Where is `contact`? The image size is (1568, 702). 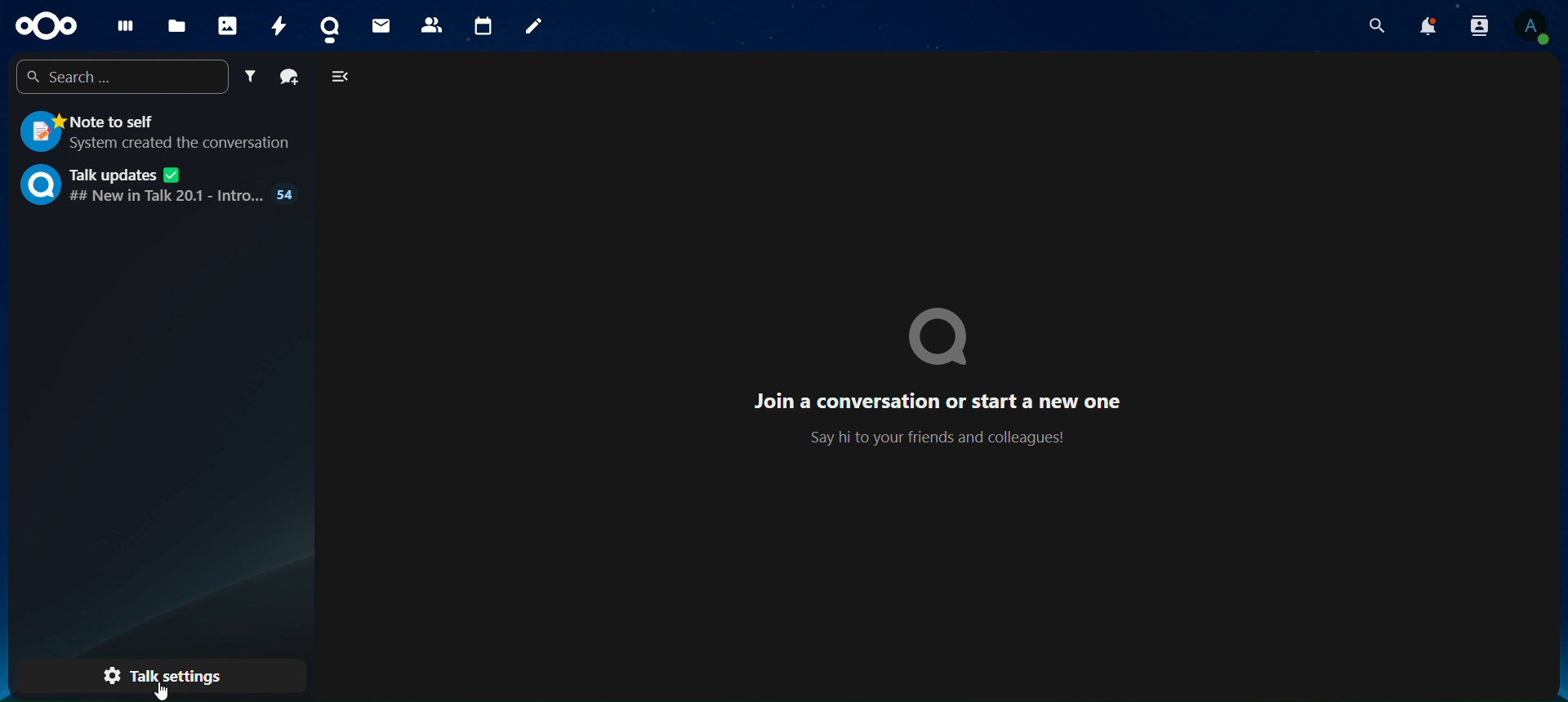
contact is located at coordinates (334, 26).